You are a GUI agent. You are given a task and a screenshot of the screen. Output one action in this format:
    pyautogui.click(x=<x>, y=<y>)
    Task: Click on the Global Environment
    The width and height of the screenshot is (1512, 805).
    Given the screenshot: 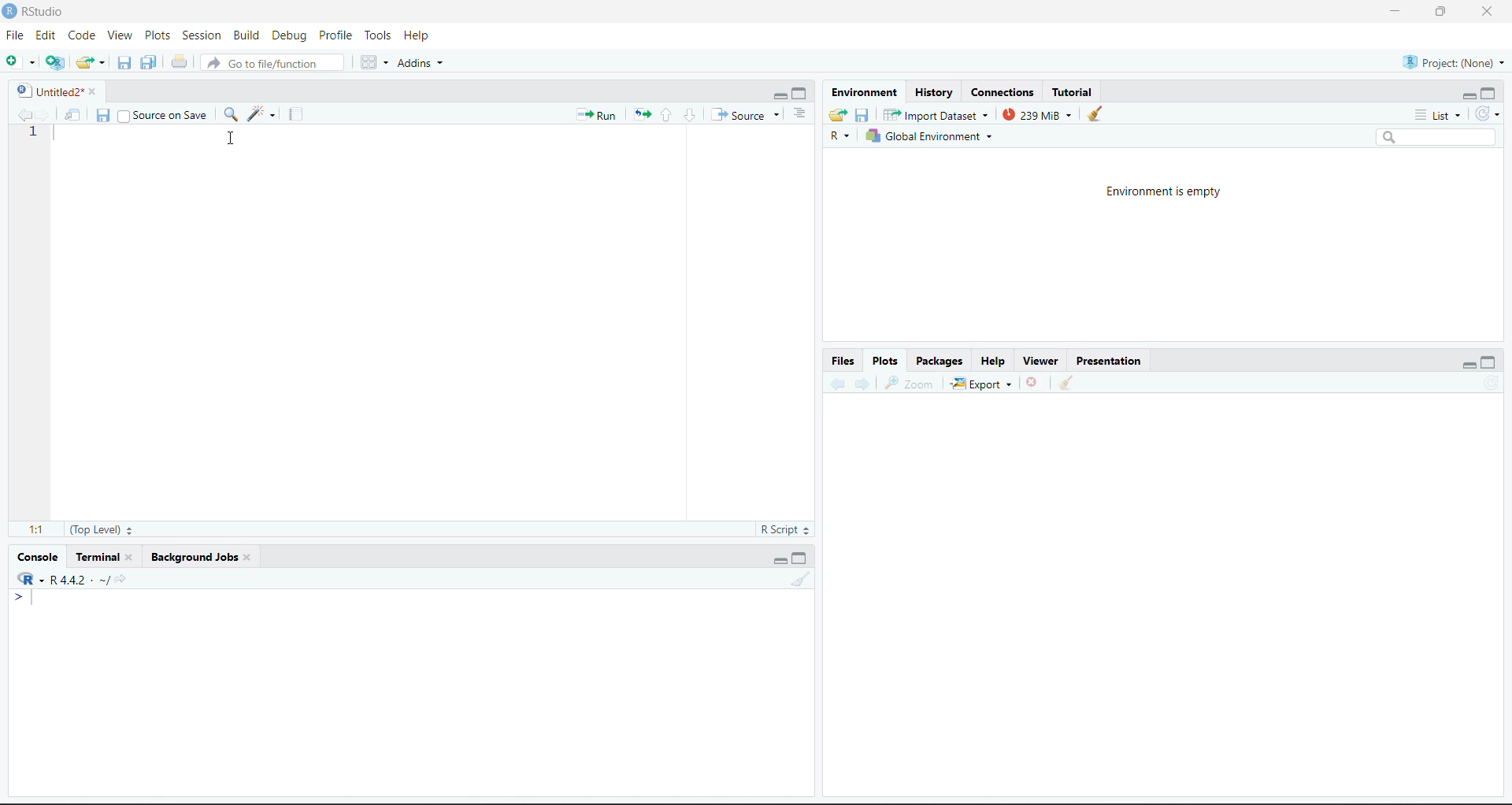 What is the action you would take?
    pyautogui.click(x=944, y=138)
    